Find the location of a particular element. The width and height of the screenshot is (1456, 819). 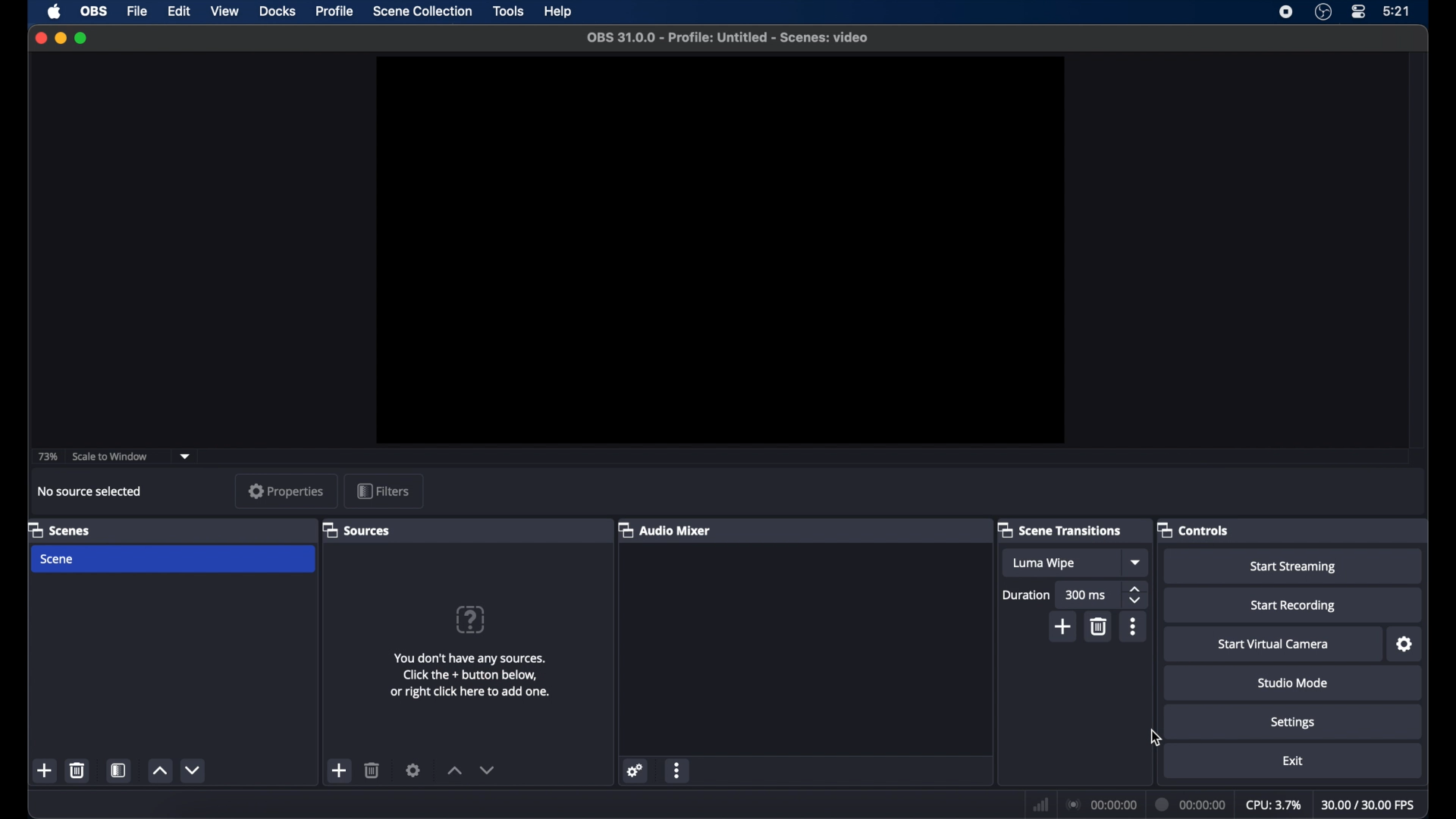

scenes is located at coordinates (61, 531).